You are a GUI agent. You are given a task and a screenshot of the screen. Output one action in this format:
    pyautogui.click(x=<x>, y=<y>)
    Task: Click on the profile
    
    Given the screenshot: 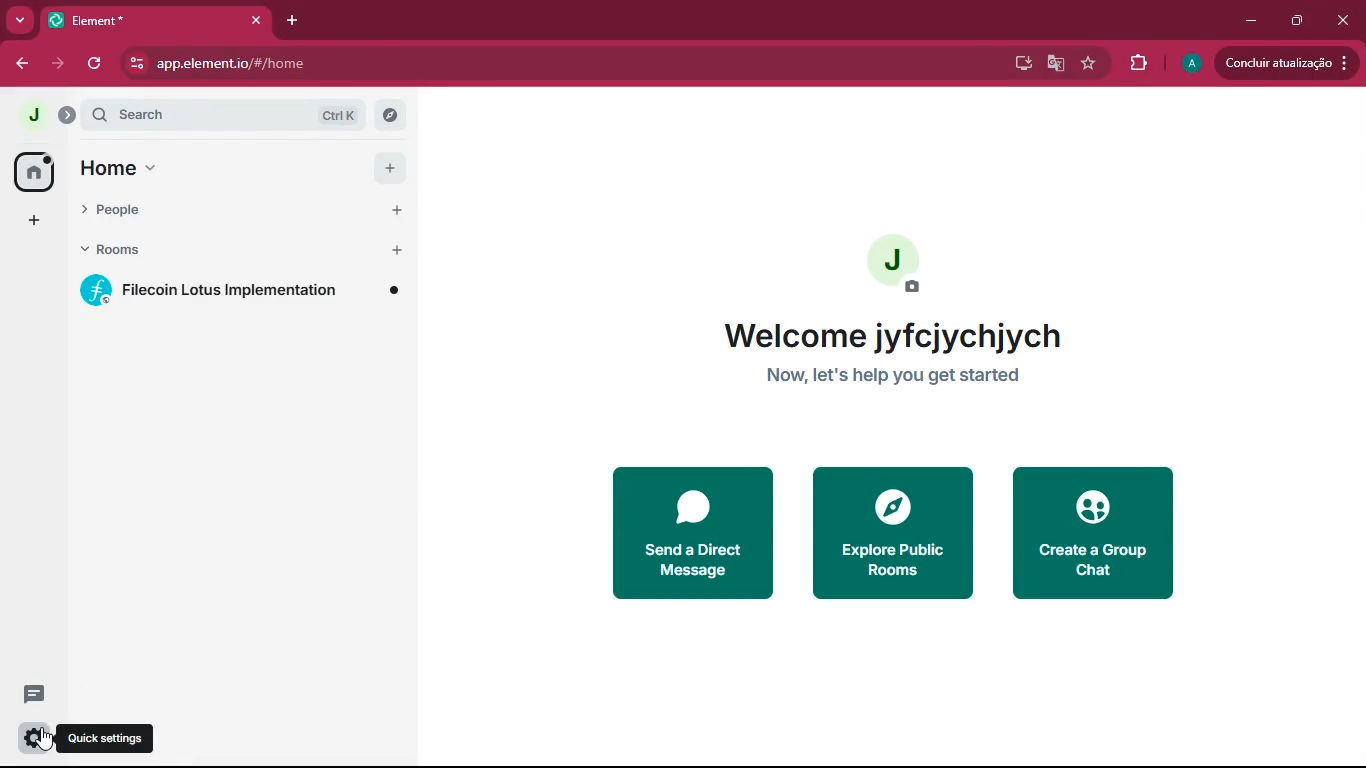 What is the action you would take?
    pyautogui.click(x=1190, y=64)
    